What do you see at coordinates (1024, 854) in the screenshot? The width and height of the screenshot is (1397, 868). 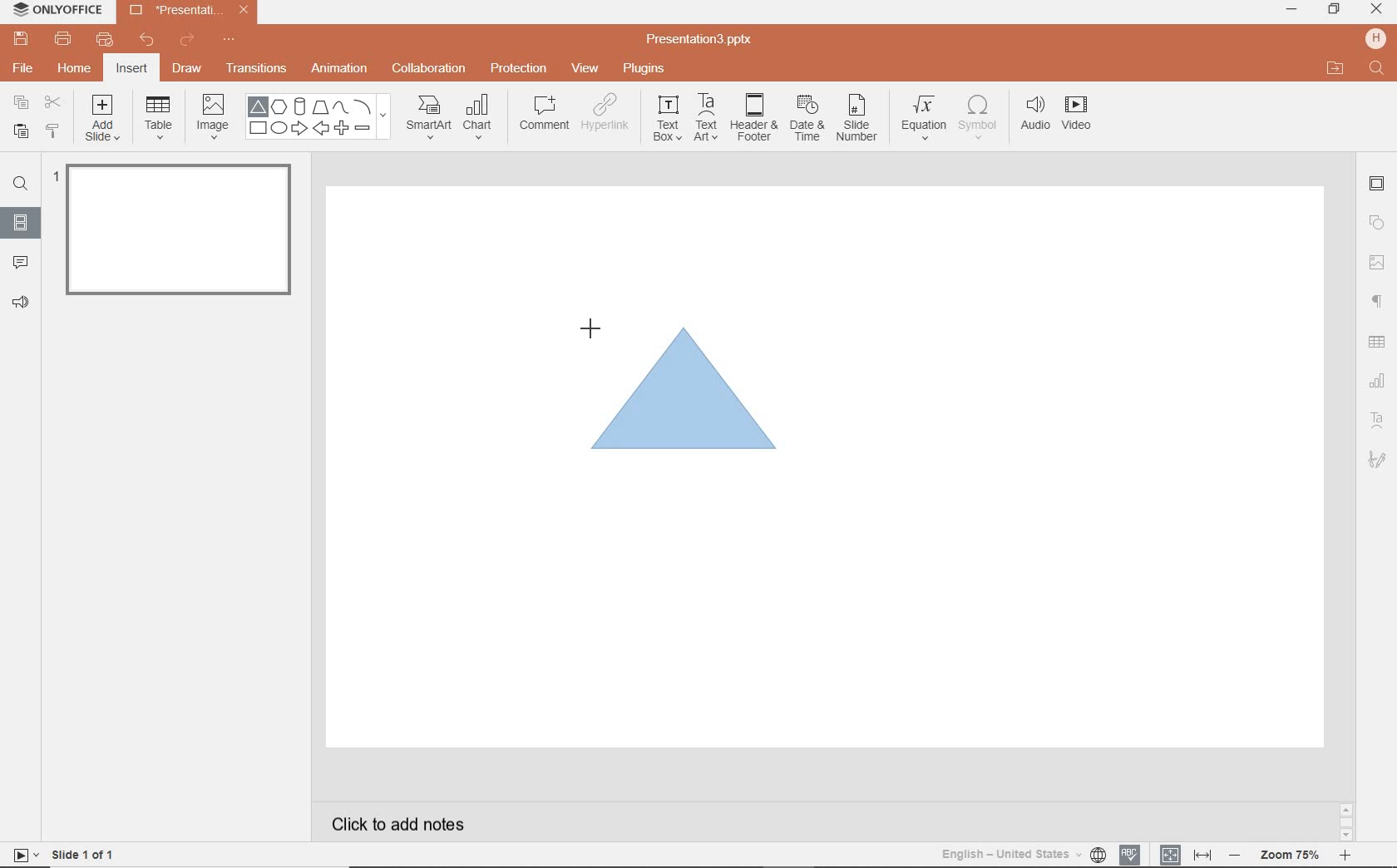 I see `TEXT LANGUAGE` at bounding box center [1024, 854].